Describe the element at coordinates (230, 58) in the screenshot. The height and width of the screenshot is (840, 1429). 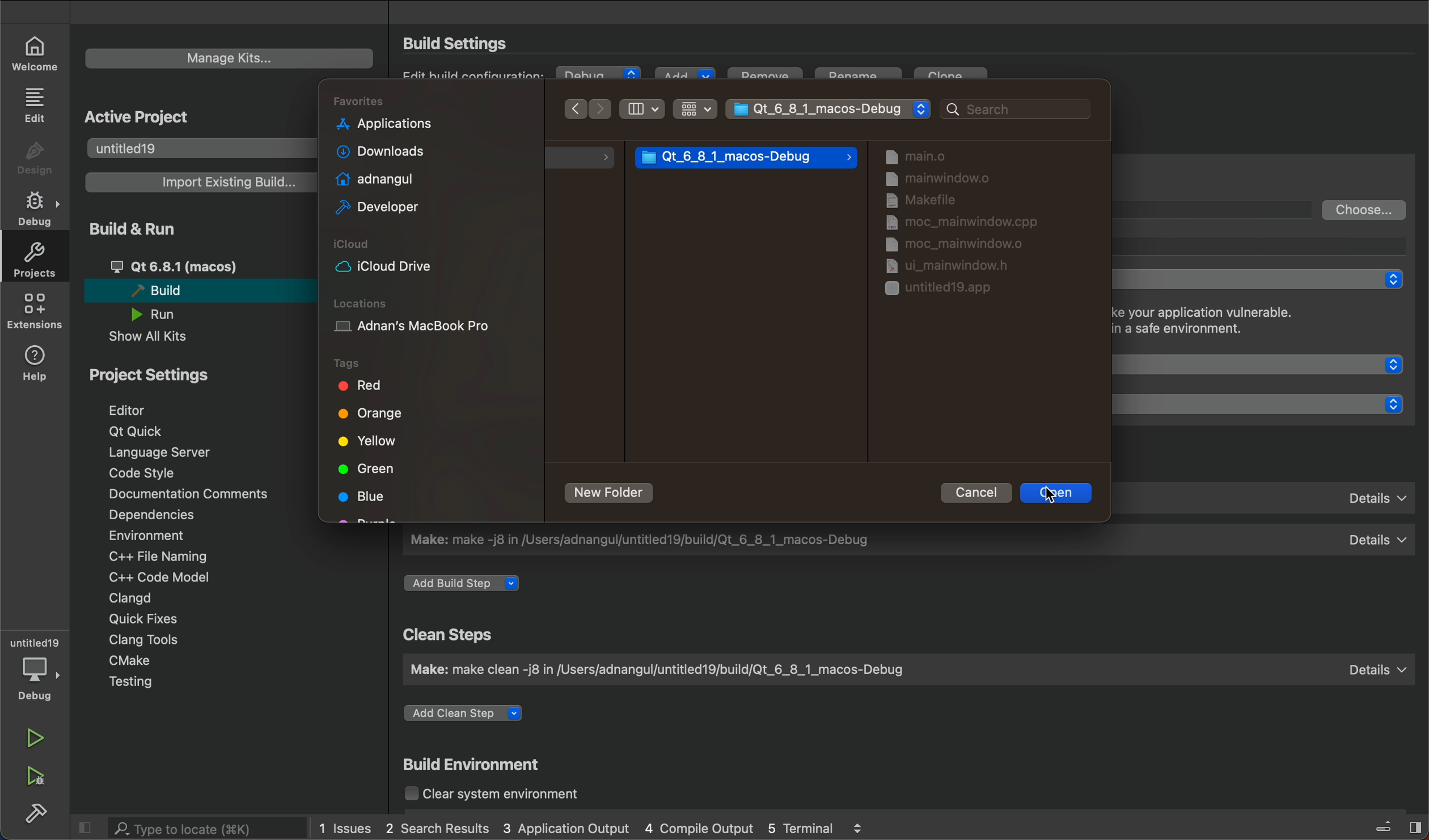
I see `manage kits` at that location.